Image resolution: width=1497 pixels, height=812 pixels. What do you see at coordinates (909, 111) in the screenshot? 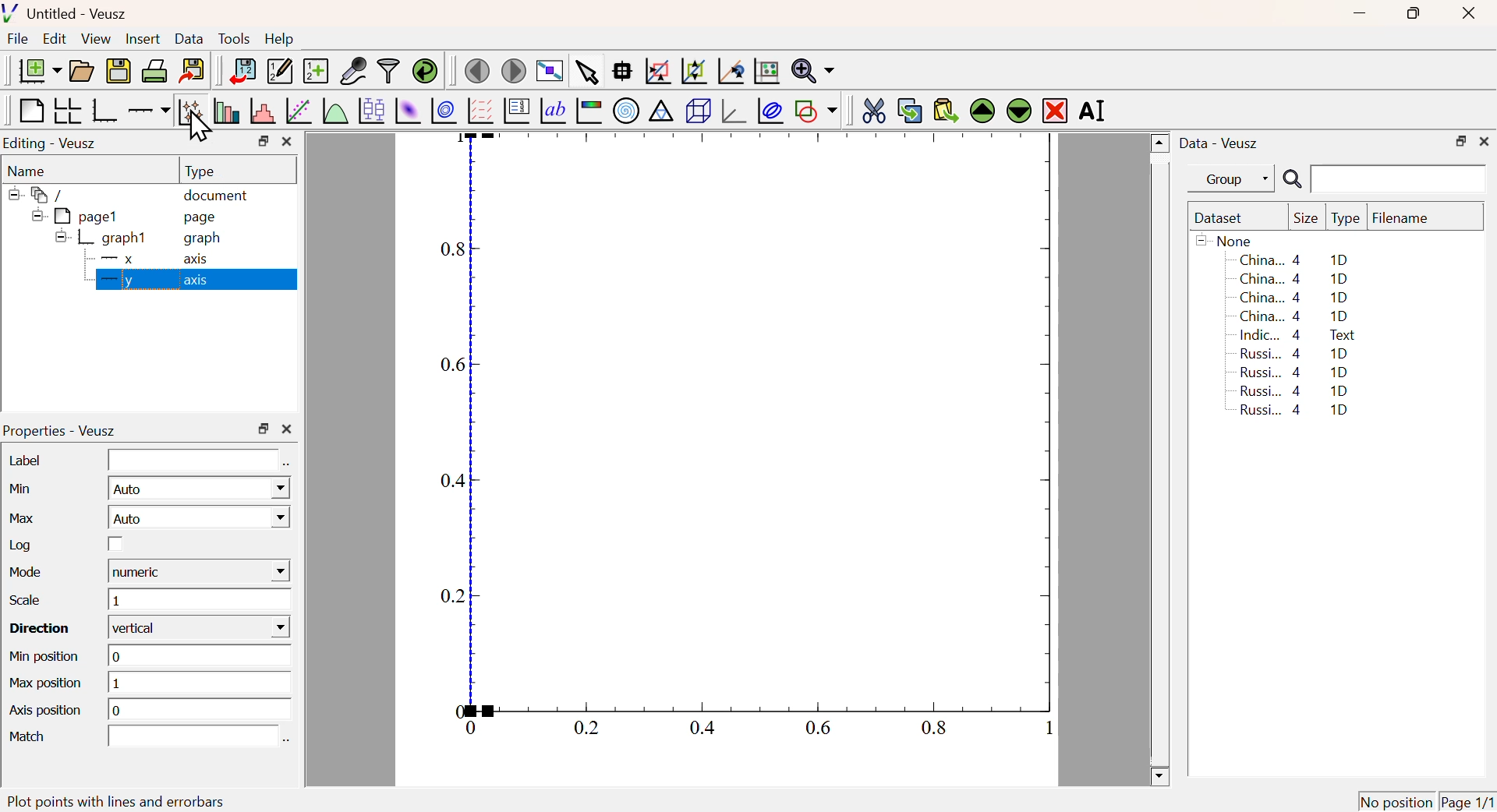
I see `Copy` at bounding box center [909, 111].